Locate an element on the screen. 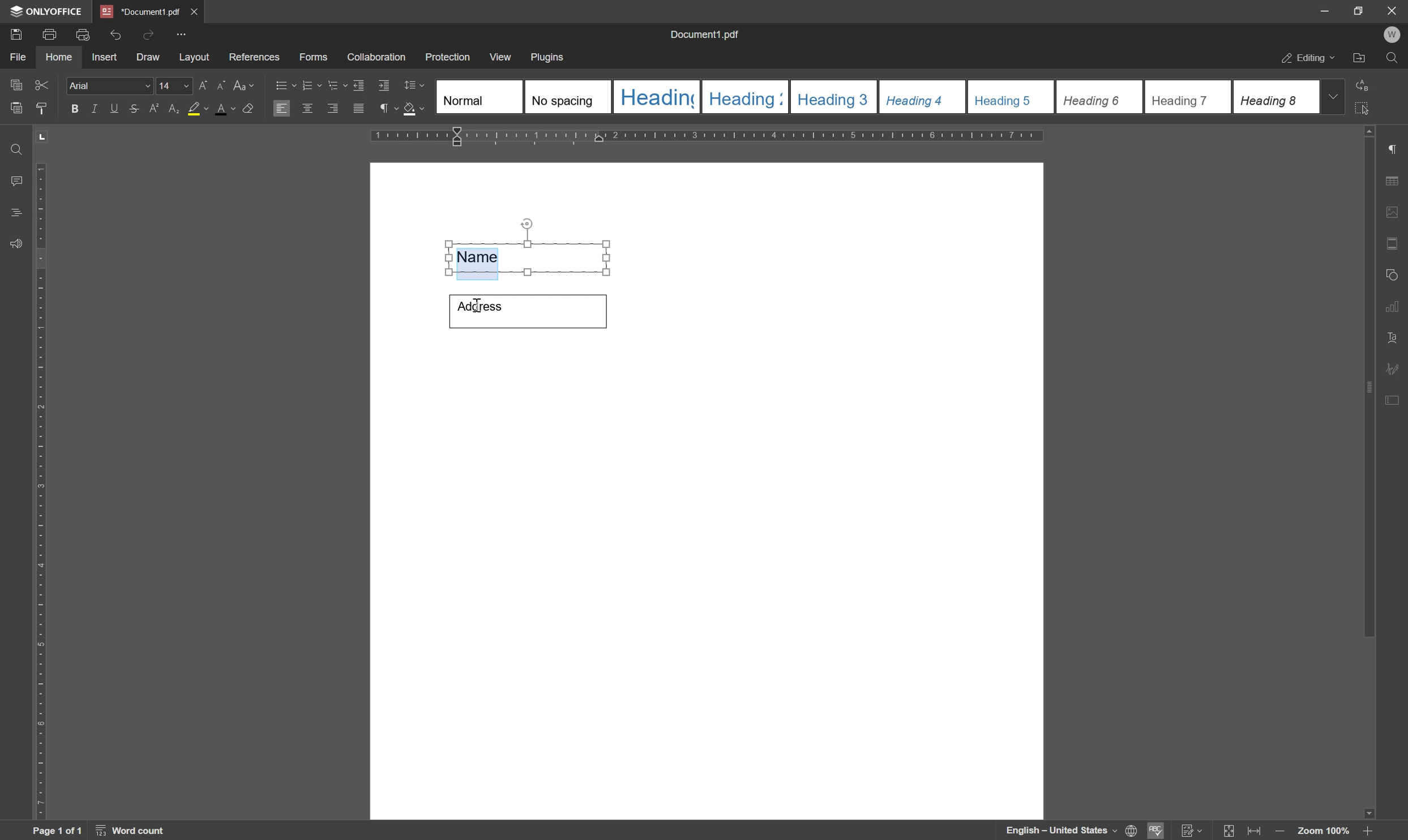 This screenshot has width=1408, height=840. drop down is located at coordinates (1334, 96).